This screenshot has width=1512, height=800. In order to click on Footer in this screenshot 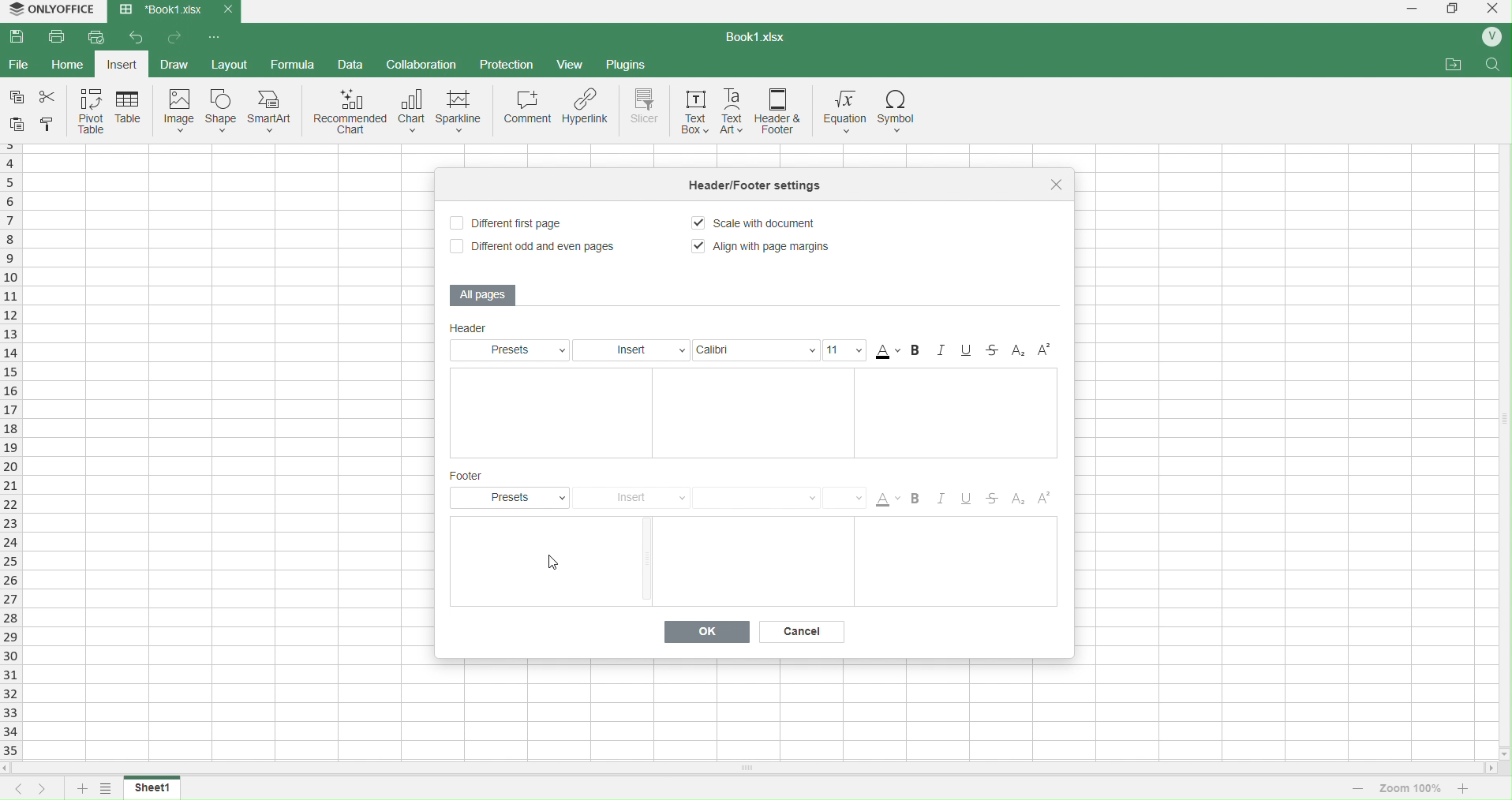, I will do `click(470, 476)`.